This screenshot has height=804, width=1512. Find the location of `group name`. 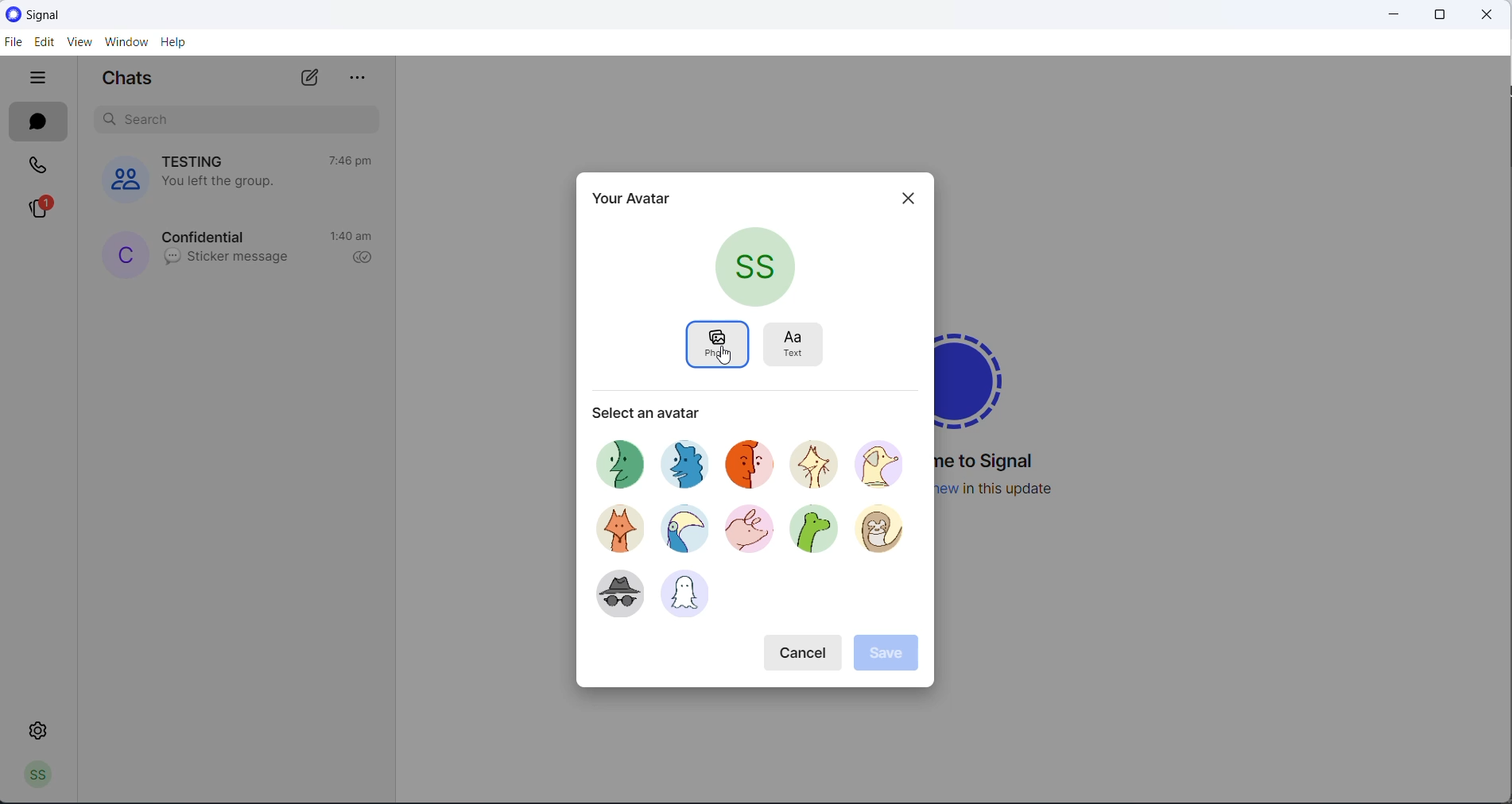

group name is located at coordinates (196, 160).